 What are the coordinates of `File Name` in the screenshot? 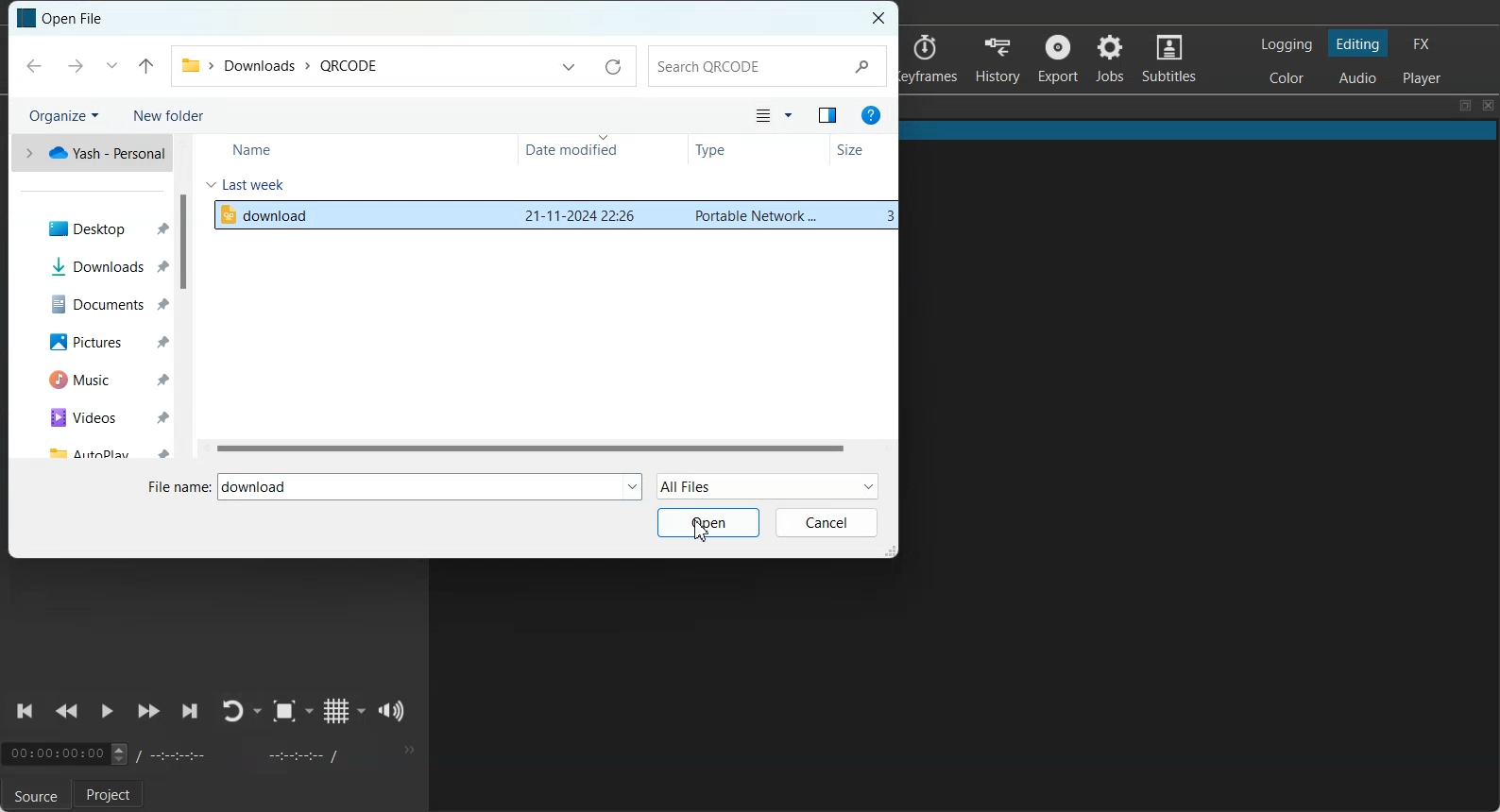 It's located at (177, 487).